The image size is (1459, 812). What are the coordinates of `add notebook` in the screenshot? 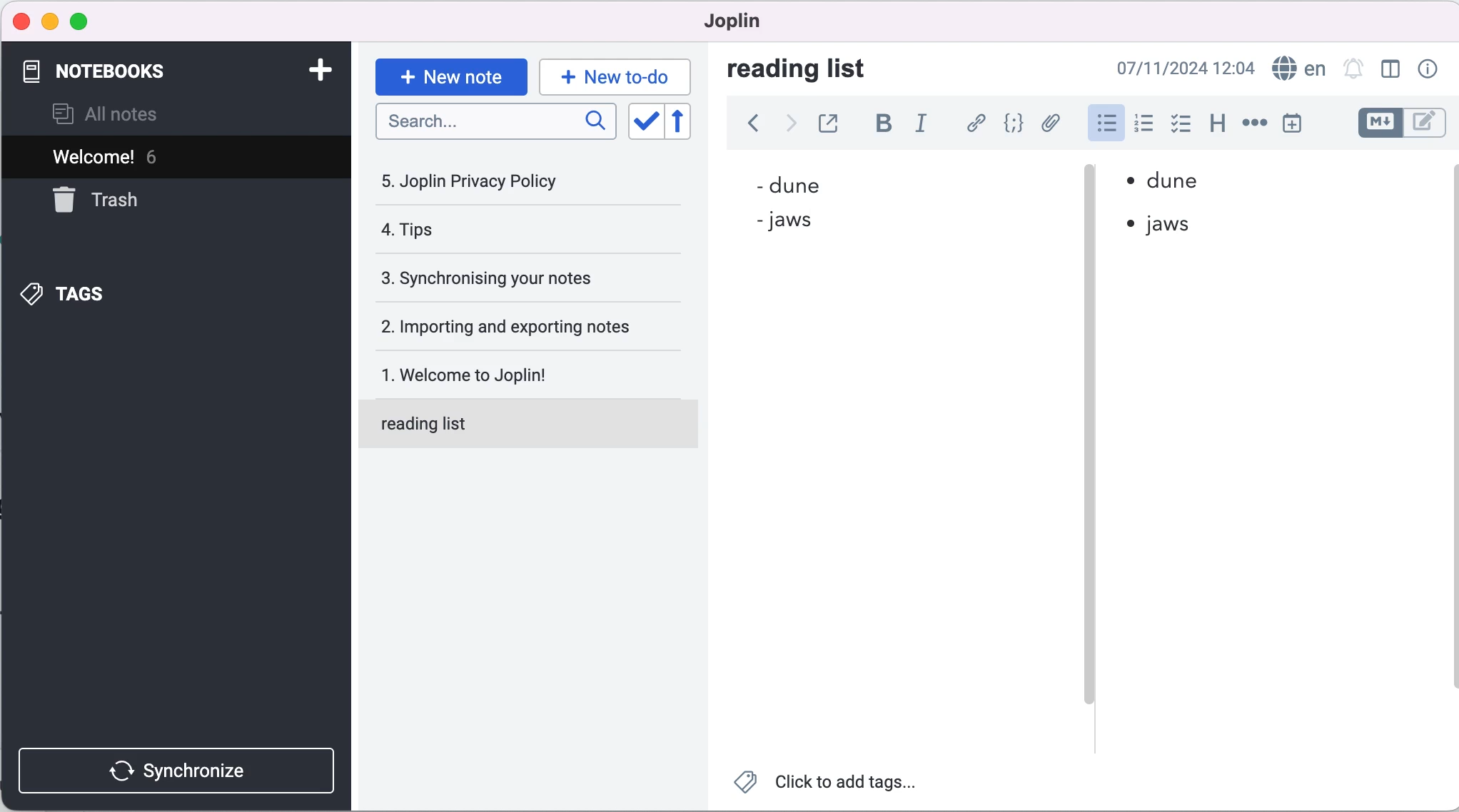 It's located at (324, 70).